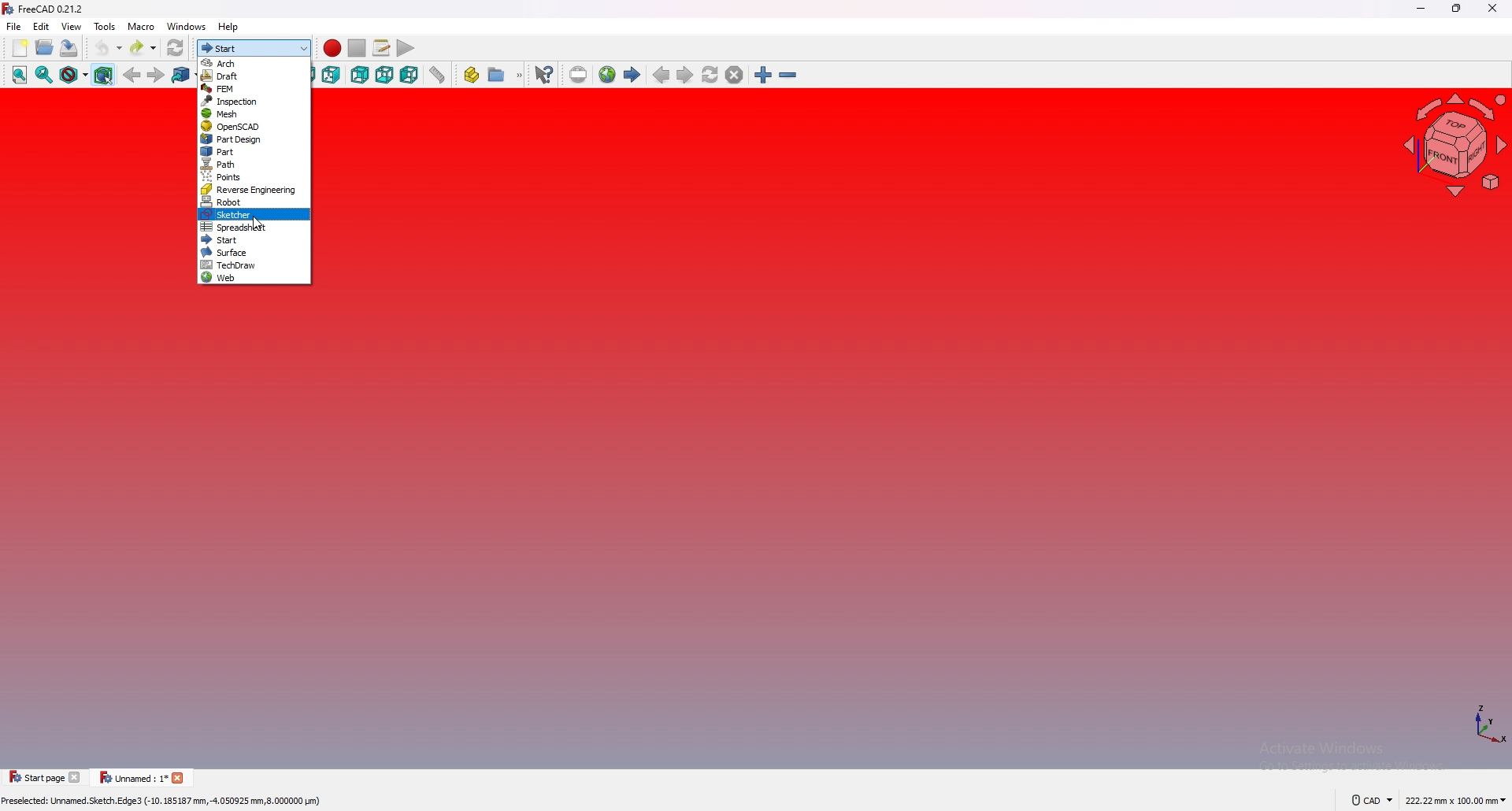 The width and height of the screenshot is (1512, 811). Describe the element at coordinates (1492, 8) in the screenshot. I see `close` at that location.